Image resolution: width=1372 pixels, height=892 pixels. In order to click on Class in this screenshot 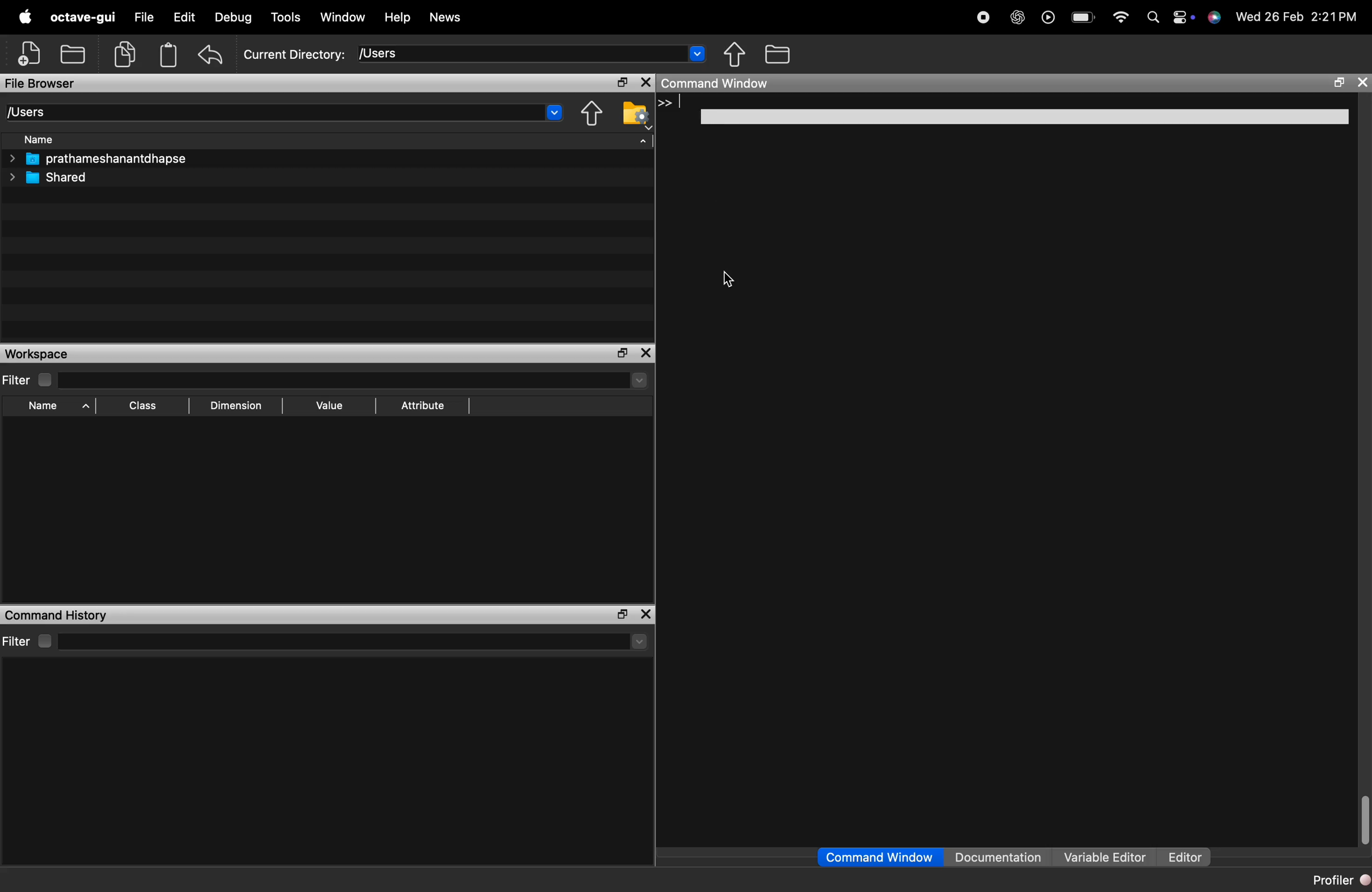, I will do `click(144, 405)`.